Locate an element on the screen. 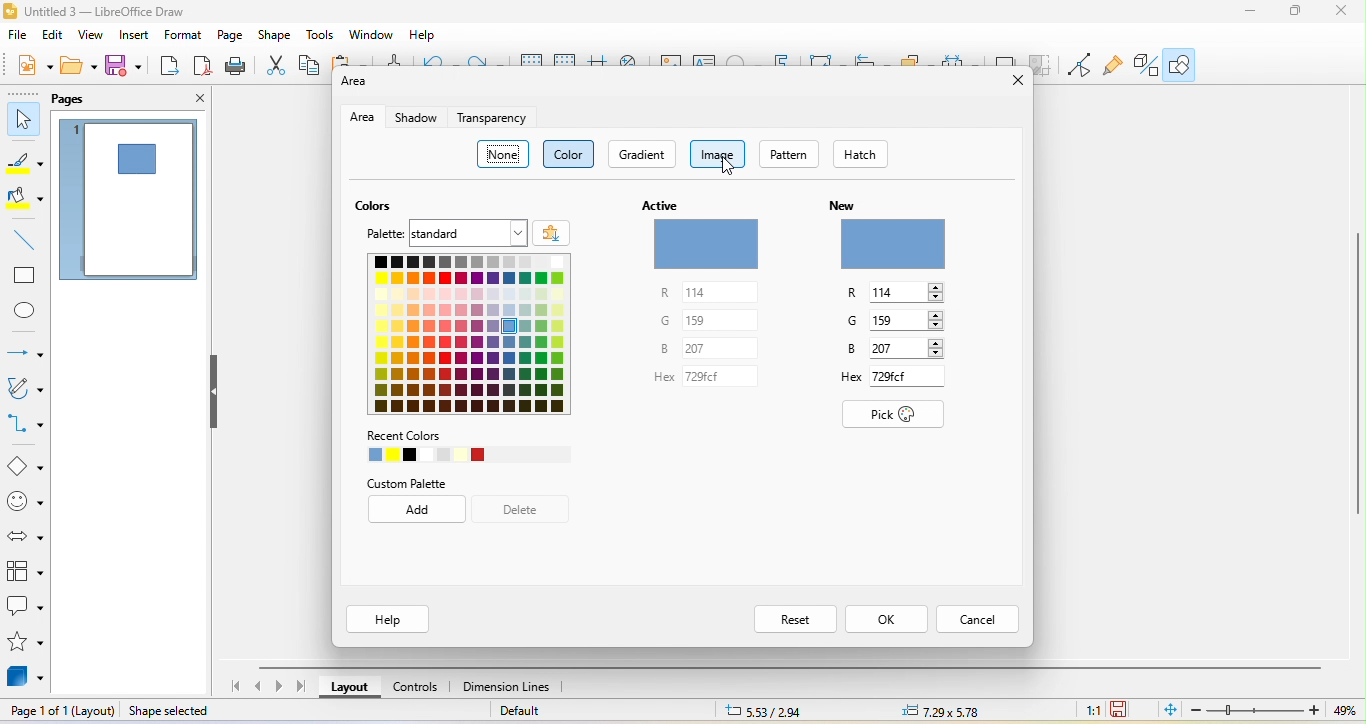 Image resolution: width=1366 pixels, height=724 pixels. shadow is located at coordinates (1004, 59).